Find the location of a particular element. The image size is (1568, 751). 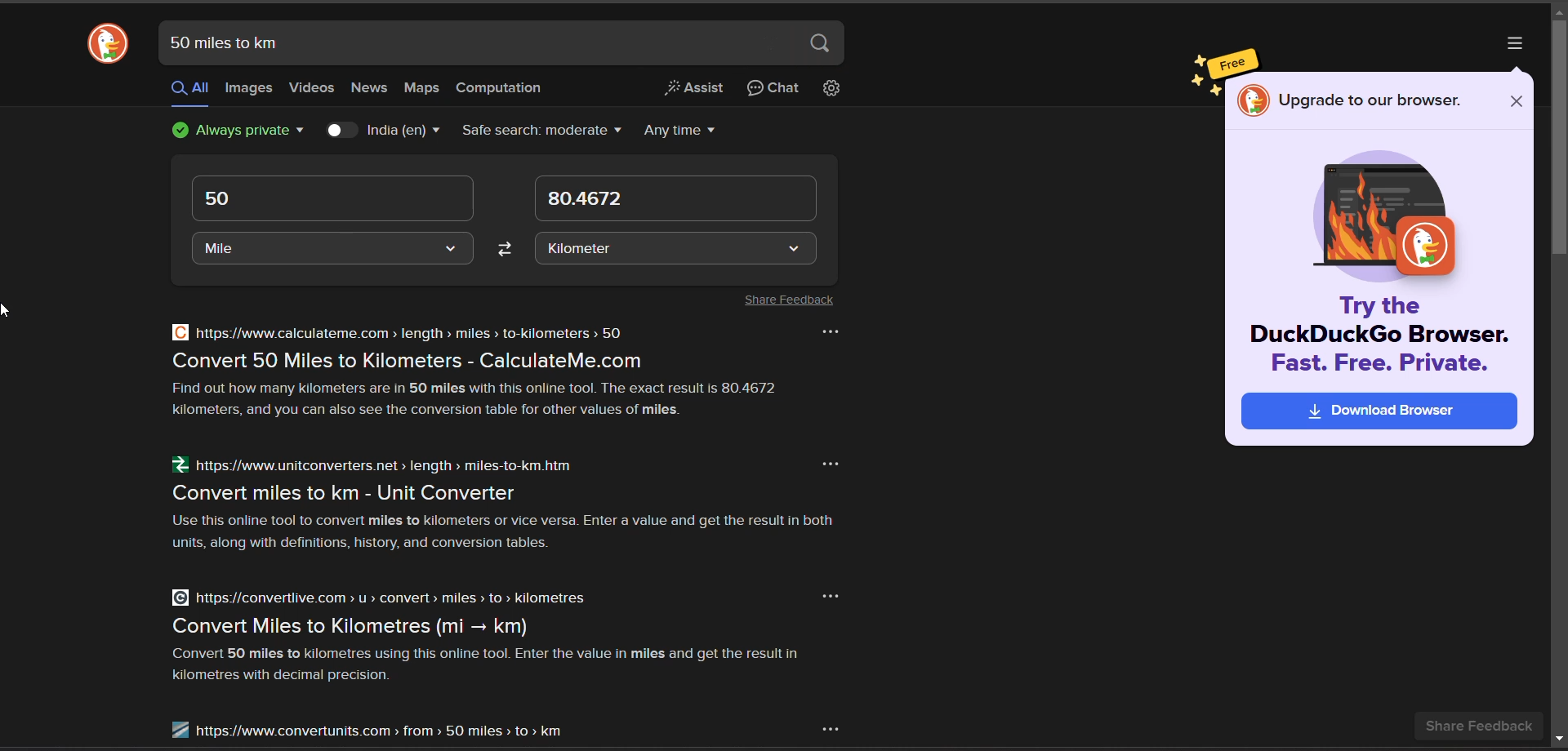

videos is located at coordinates (312, 86).